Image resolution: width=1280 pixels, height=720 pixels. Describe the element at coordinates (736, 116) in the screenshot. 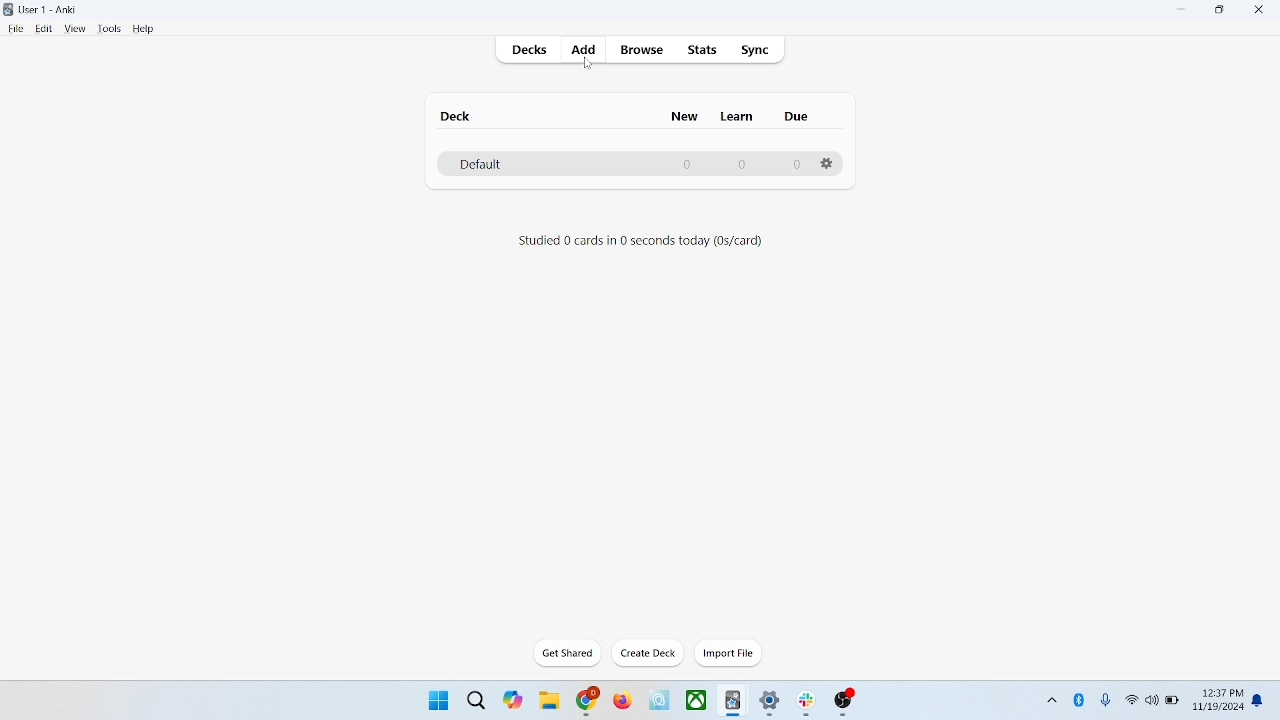

I see `learn` at that location.